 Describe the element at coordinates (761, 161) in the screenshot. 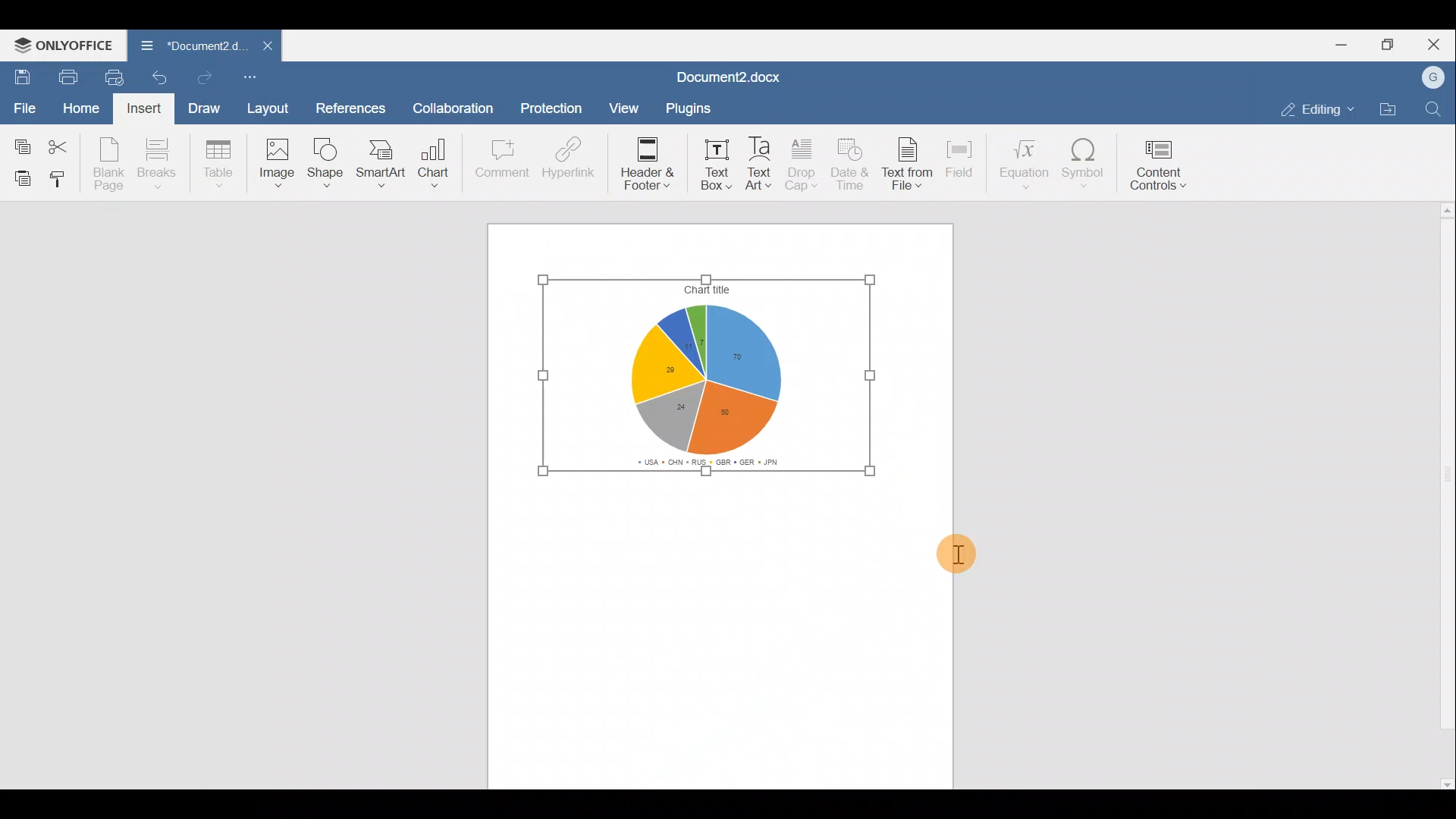

I see `Text Art` at that location.